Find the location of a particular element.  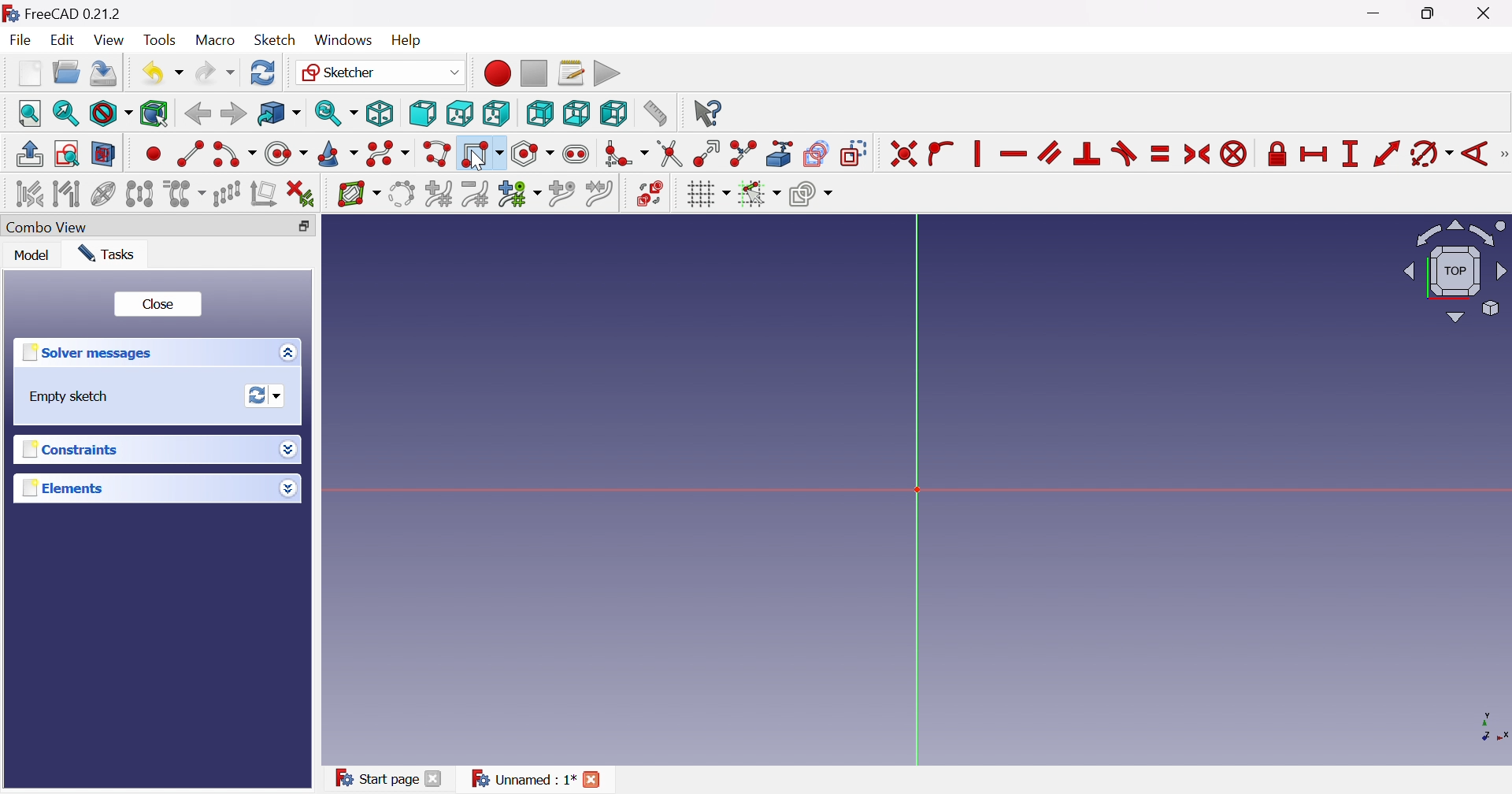

Constrain point onto object is located at coordinates (943, 155).